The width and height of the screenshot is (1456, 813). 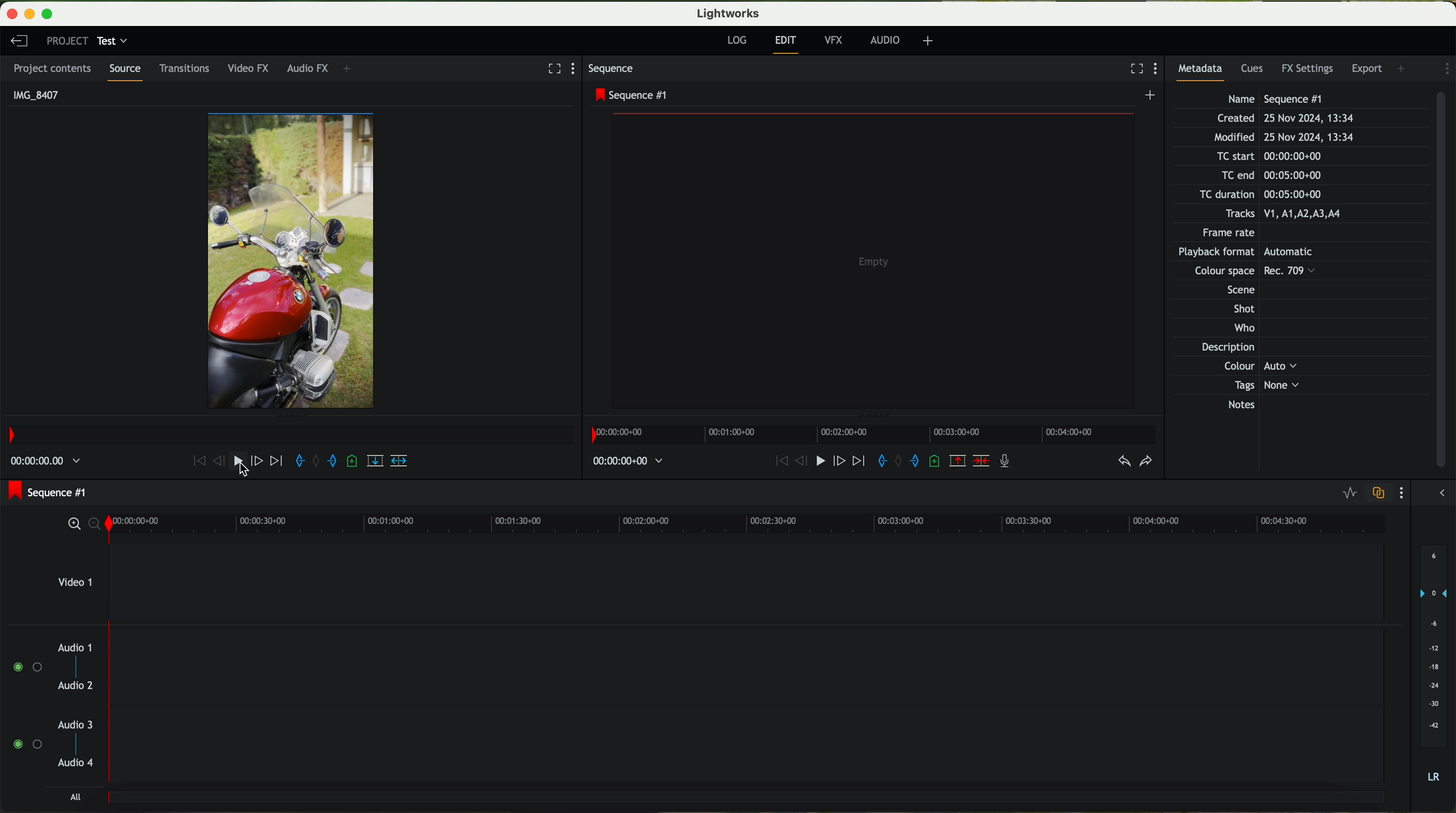 What do you see at coordinates (631, 95) in the screenshot?
I see `sequence #1` at bounding box center [631, 95].